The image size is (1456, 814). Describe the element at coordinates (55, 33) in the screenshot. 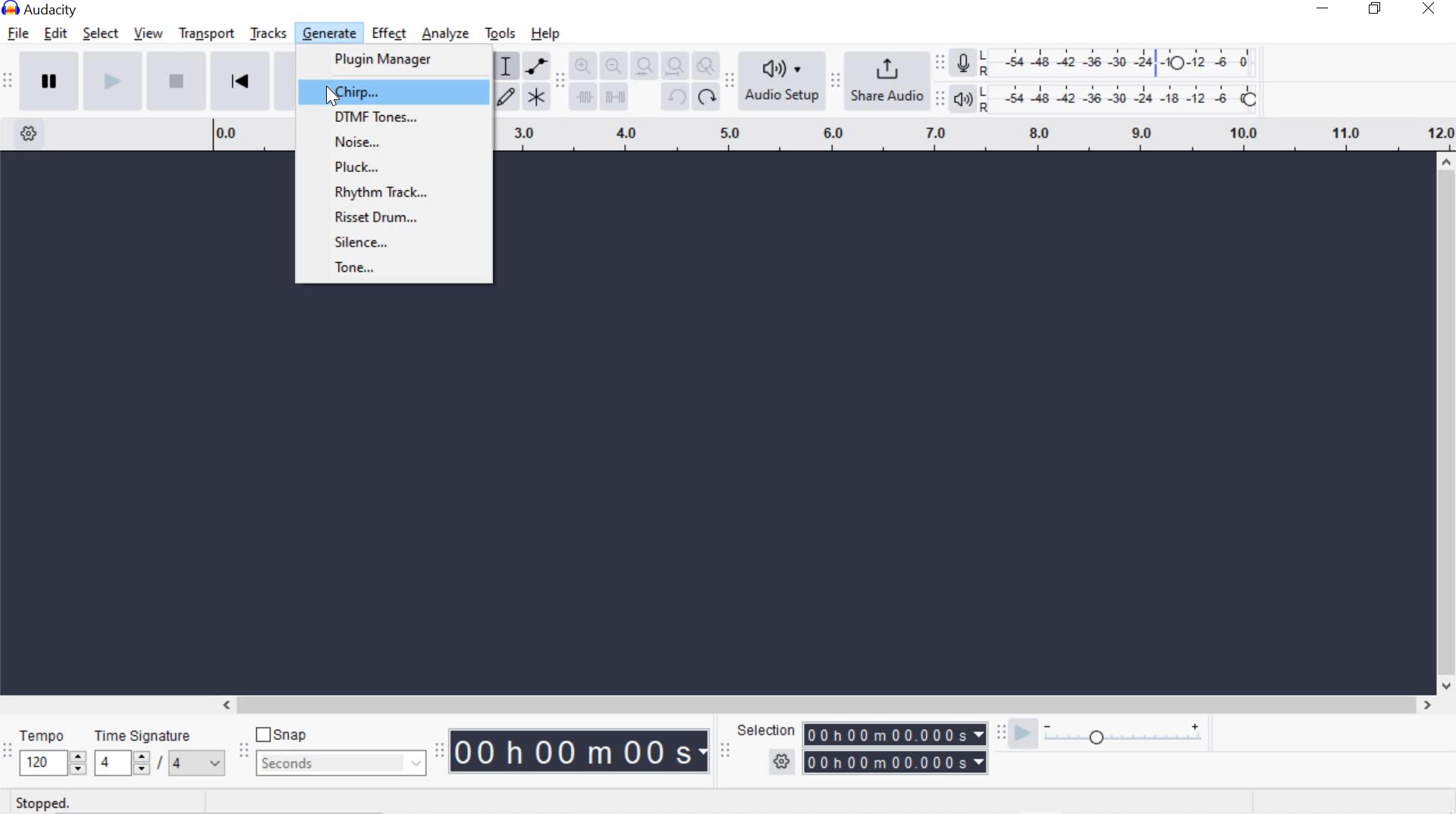

I see `edit` at that location.